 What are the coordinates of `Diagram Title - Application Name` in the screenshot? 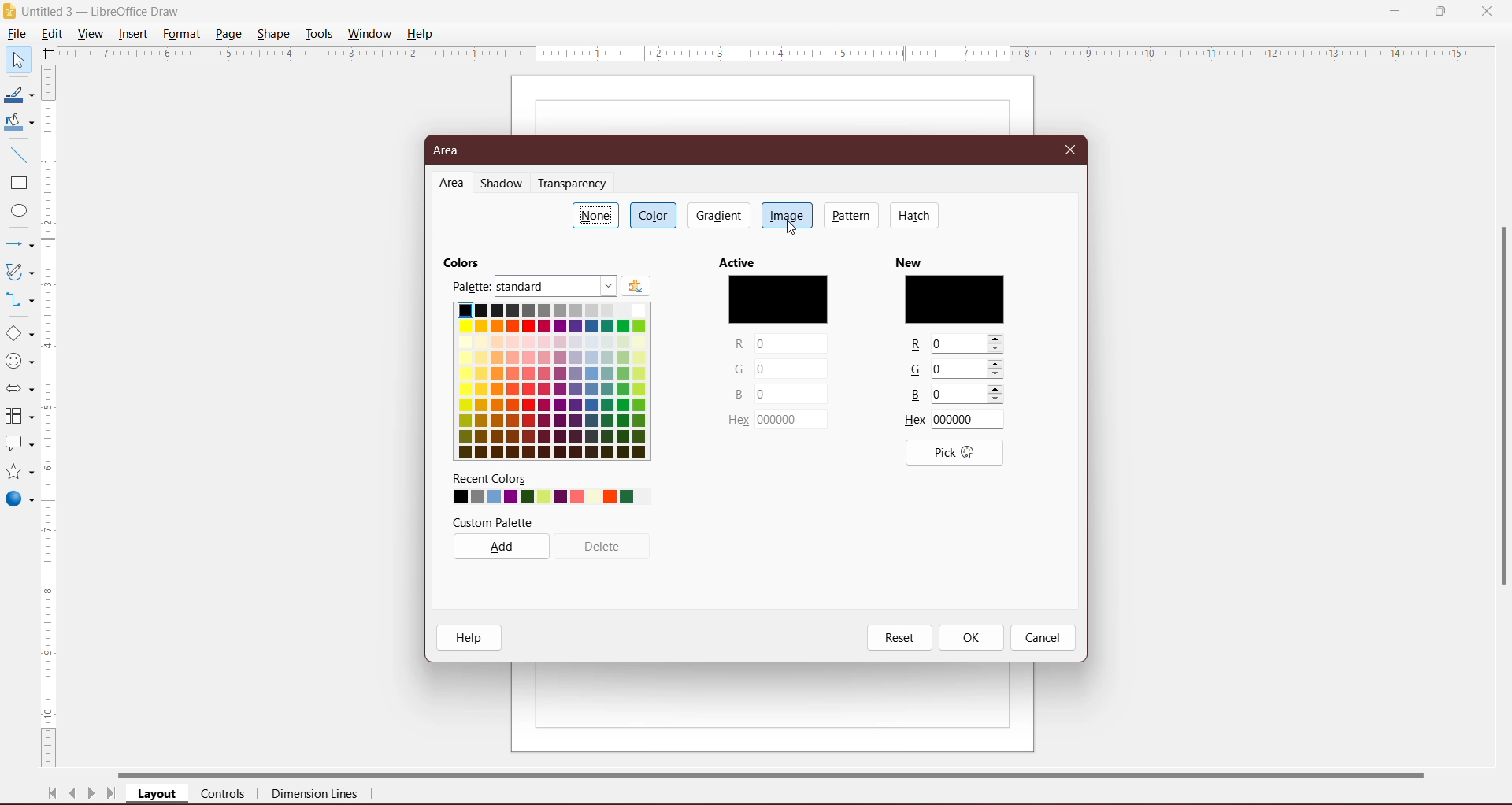 It's located at (106, 11).